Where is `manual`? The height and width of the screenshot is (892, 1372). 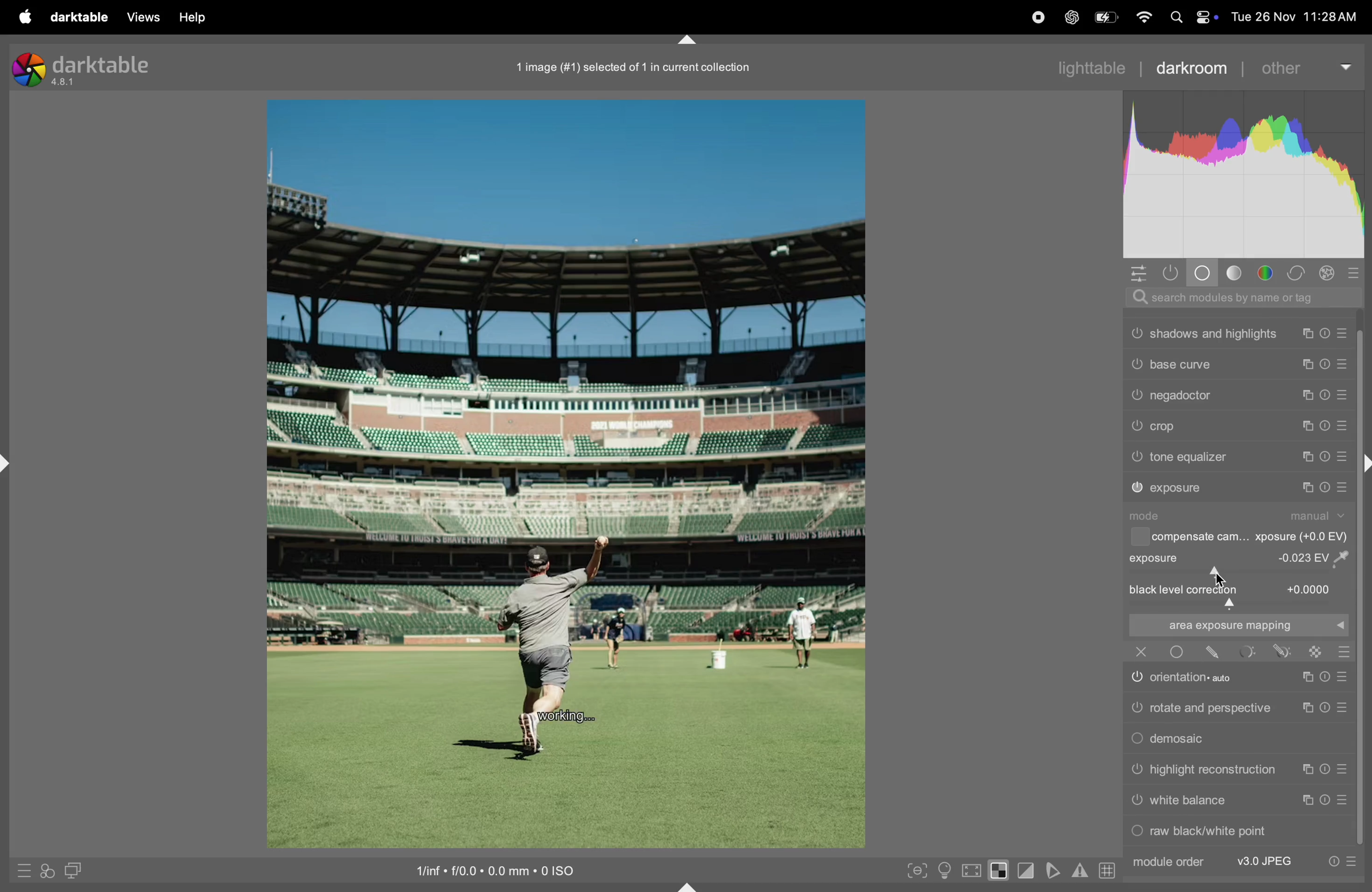
manual is located at coordinates (1320, 516).